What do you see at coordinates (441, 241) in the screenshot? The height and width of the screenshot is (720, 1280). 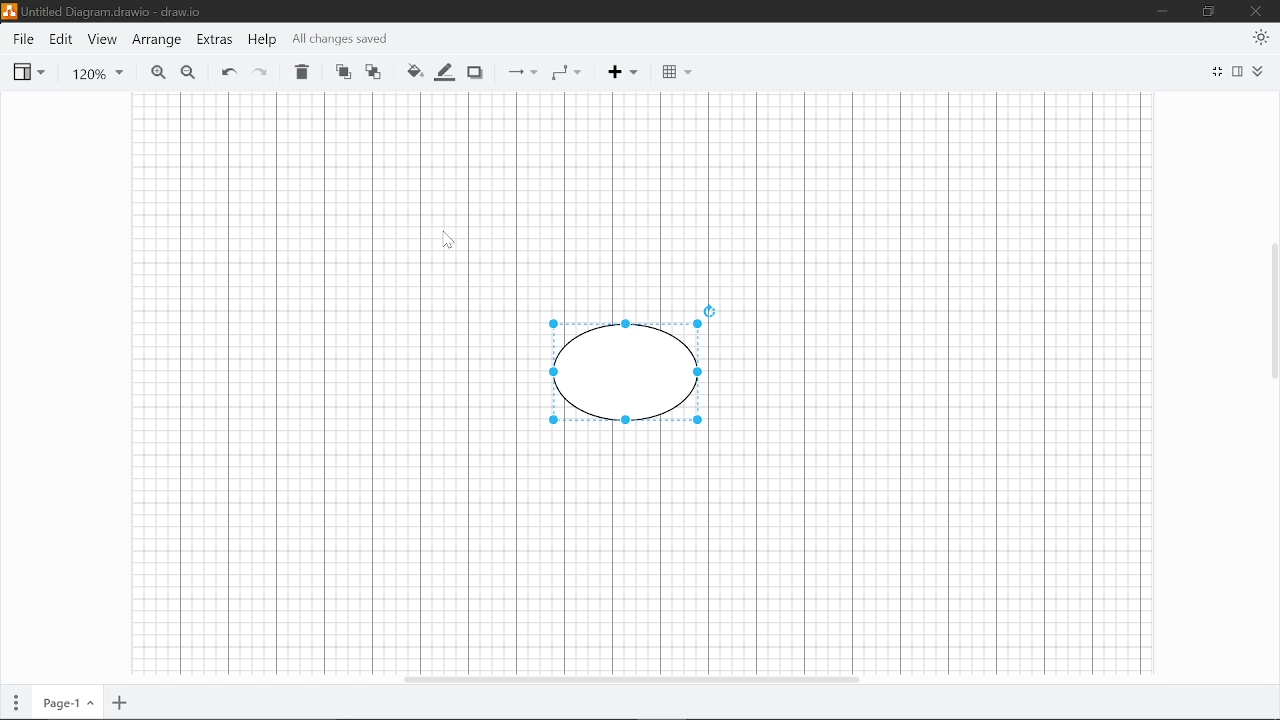 I see `cursor` at bounding box center [441, 241].